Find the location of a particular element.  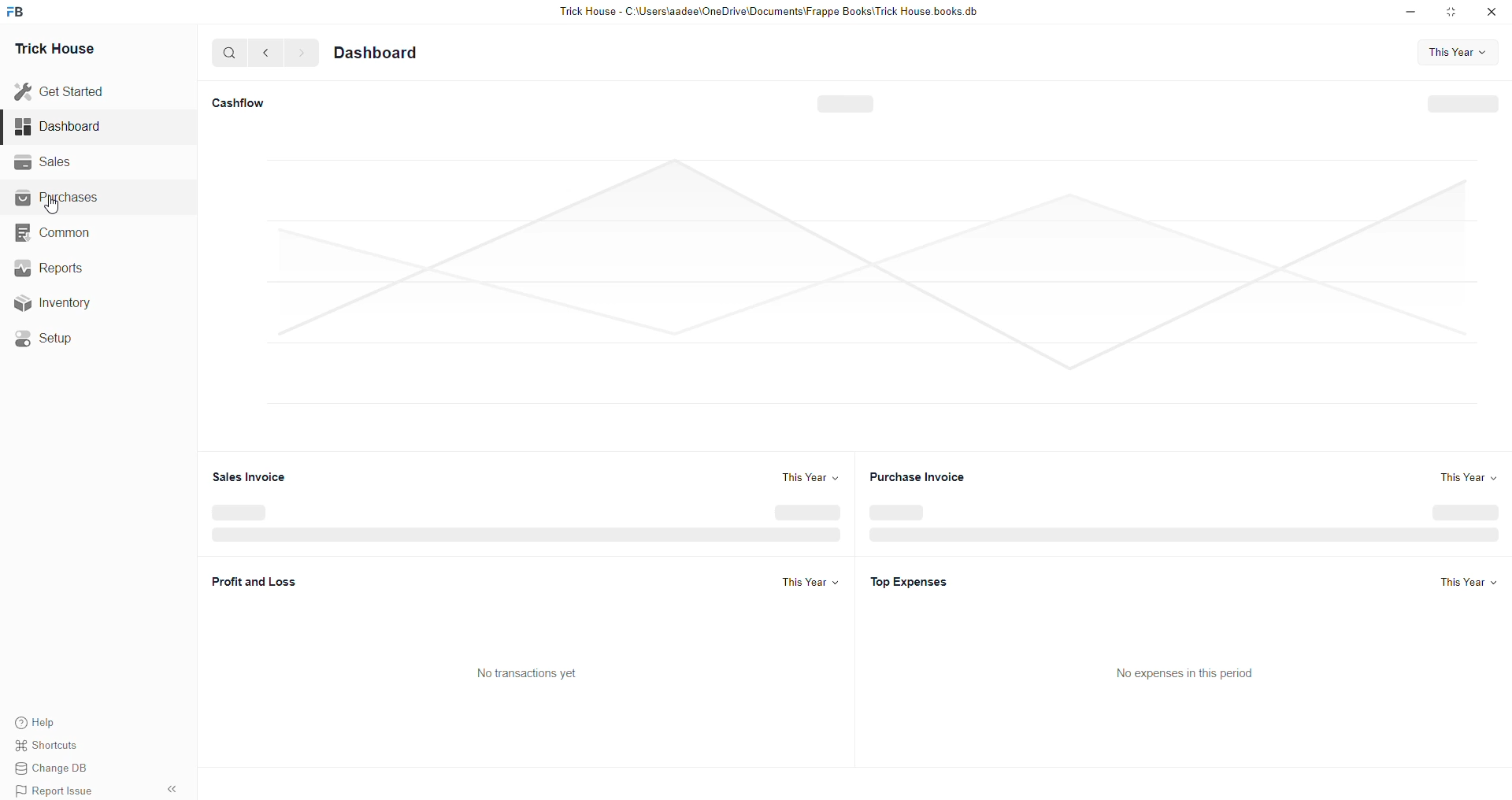

Q is located at coordinates (224, 51).